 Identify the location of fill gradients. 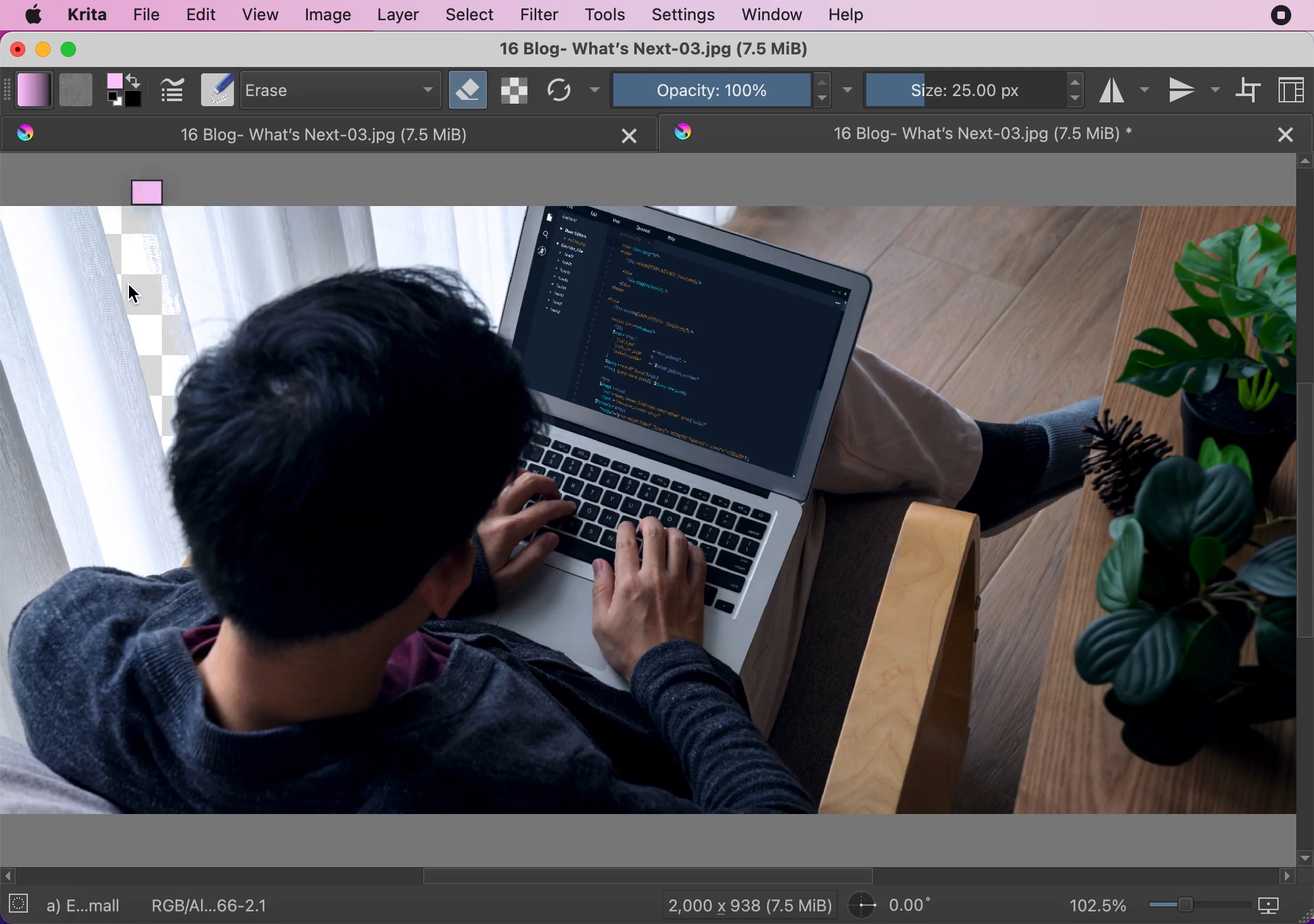
(35, 90).